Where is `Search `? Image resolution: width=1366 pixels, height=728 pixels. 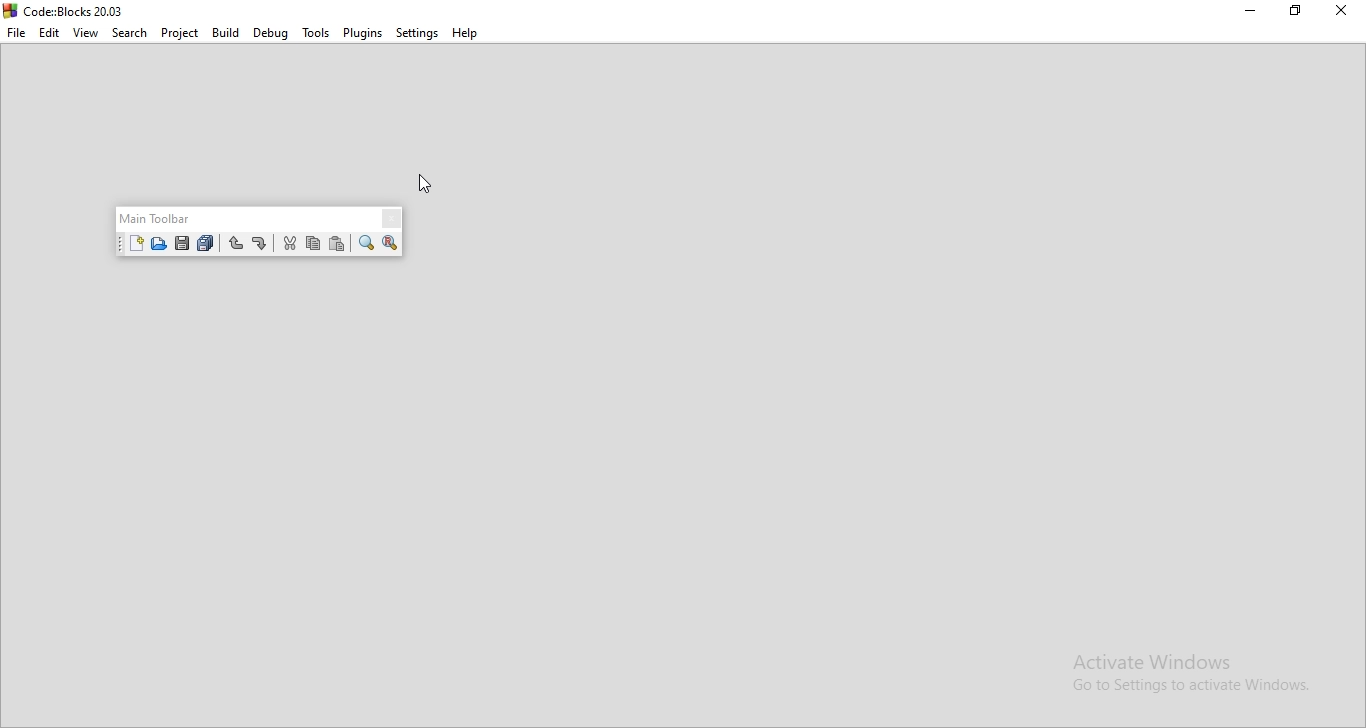 Search  is located at coordinates (130, 33).